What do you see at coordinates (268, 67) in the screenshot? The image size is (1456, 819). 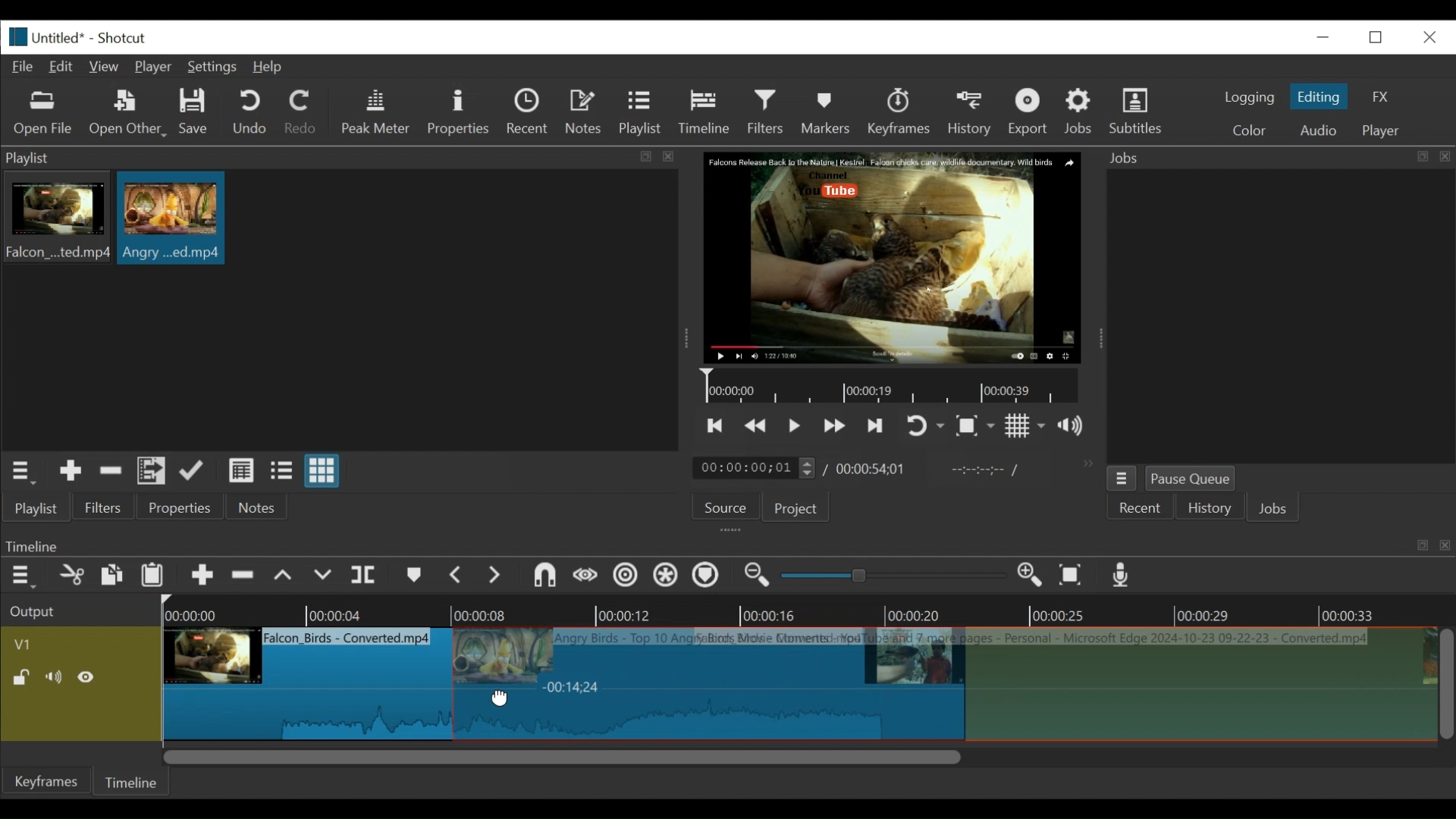 I see `Help` at bounding box center [268, 67].